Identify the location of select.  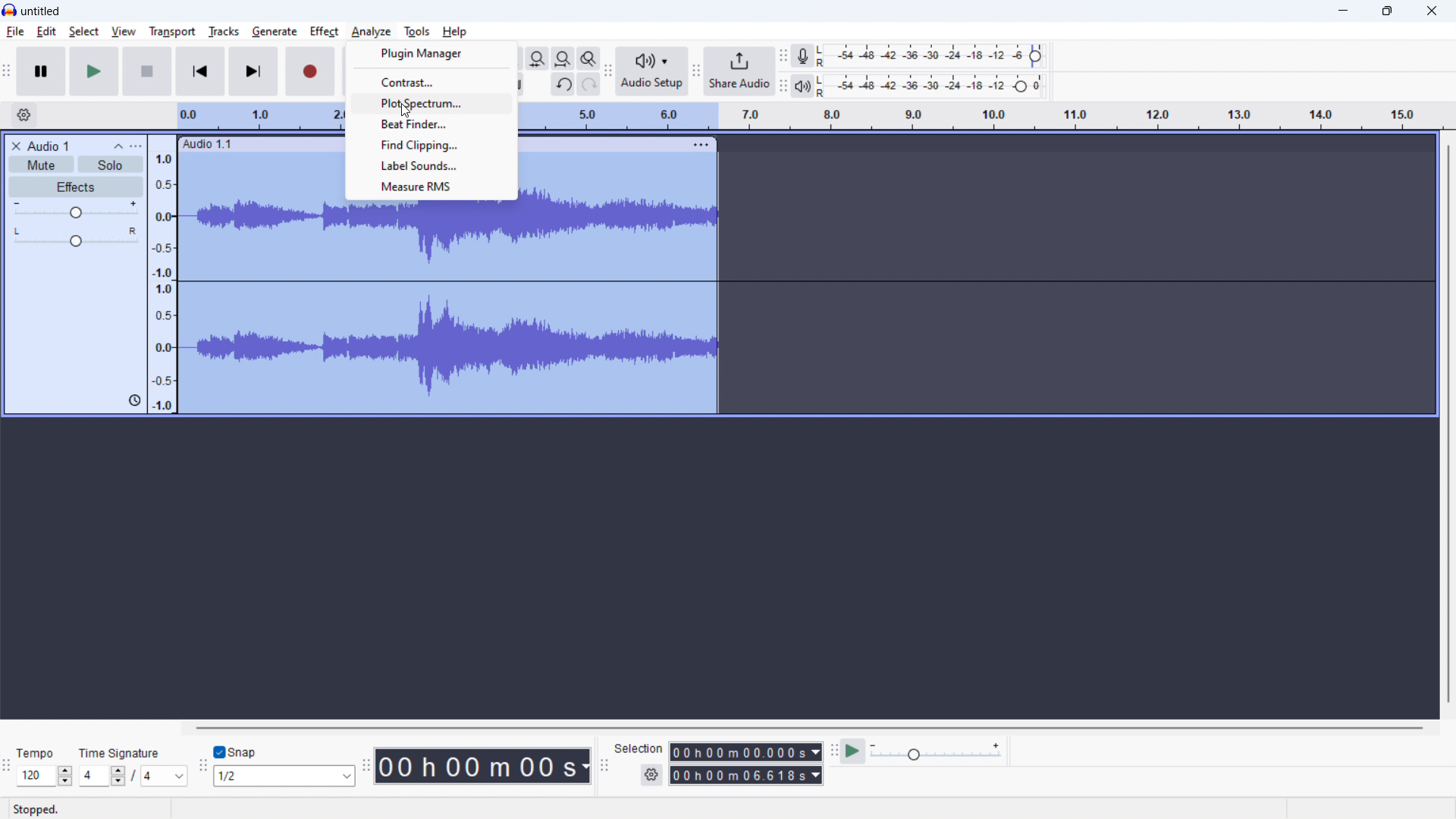
(84, 31).